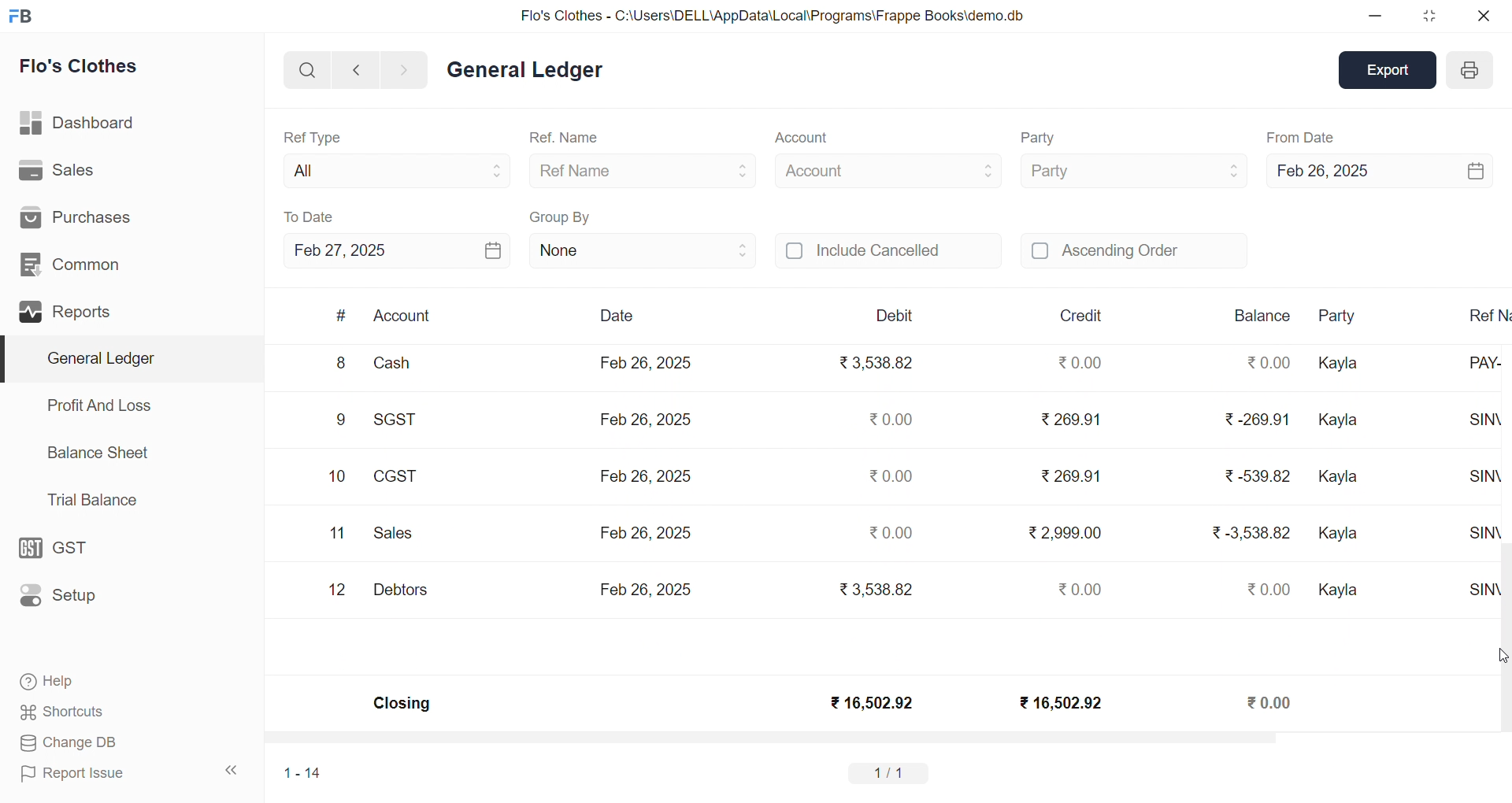 This screenshot has height=803, width=1512. What do you see at coordinates (68, 309) in the screenshot?
I see `Reports` at bounding box center [68, 309].